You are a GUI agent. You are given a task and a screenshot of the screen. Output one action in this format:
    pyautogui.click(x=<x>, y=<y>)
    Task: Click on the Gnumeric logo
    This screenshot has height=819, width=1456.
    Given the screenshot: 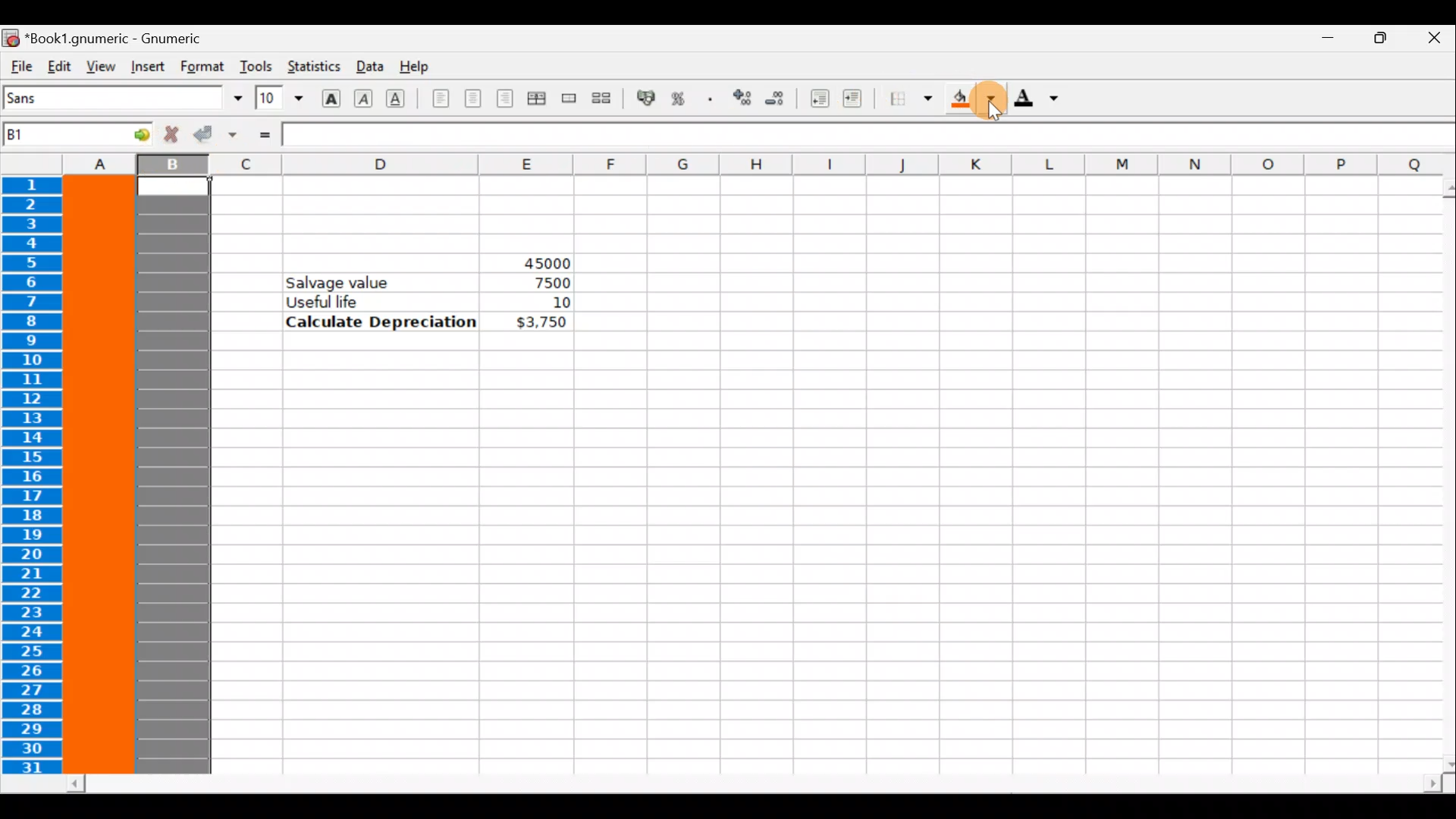 What is the action you would take?
    pyautogui.click(x=11, y=37)
    